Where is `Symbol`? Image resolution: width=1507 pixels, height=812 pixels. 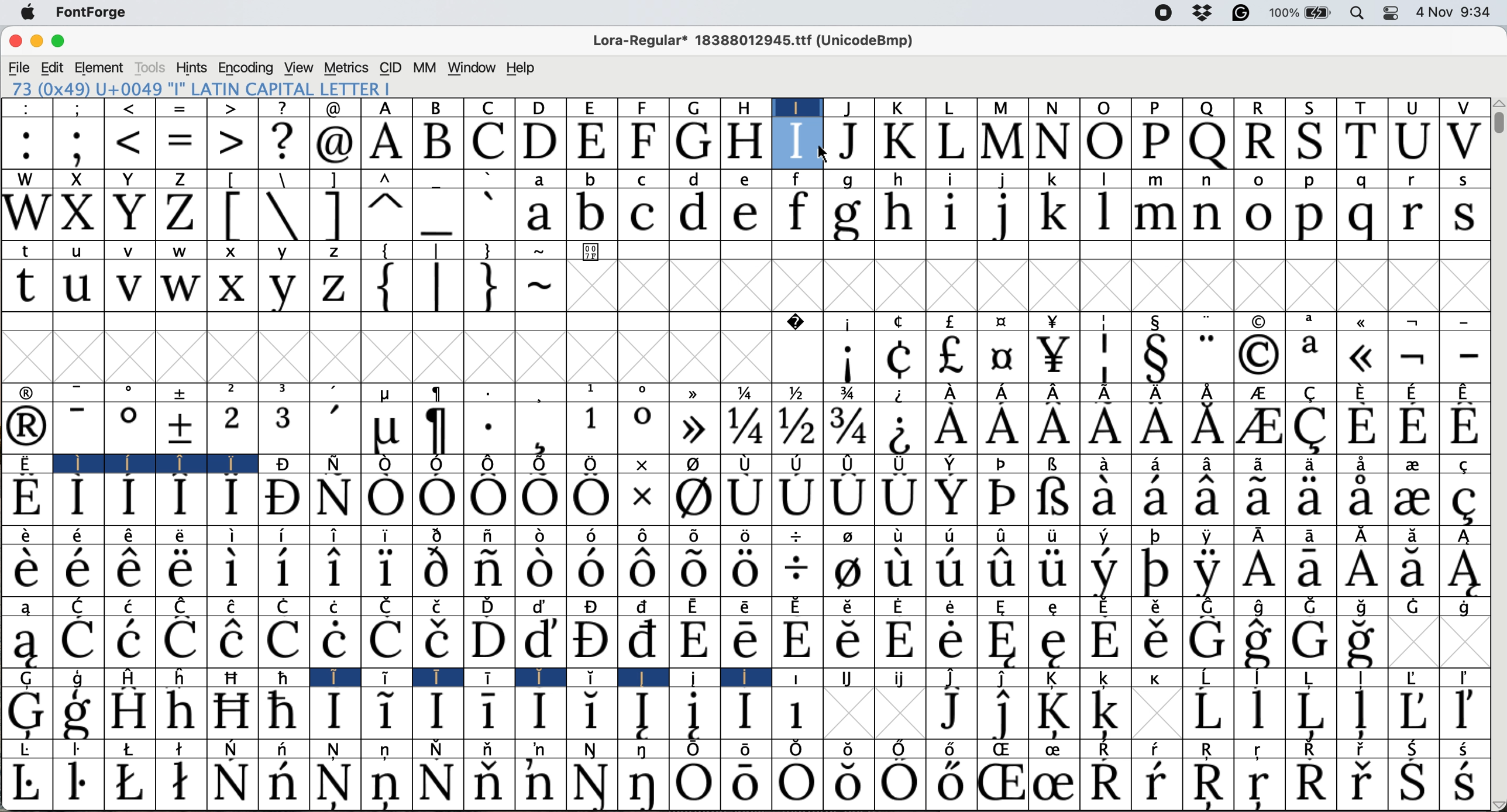
Symbol is located at coordinates (285, 677).